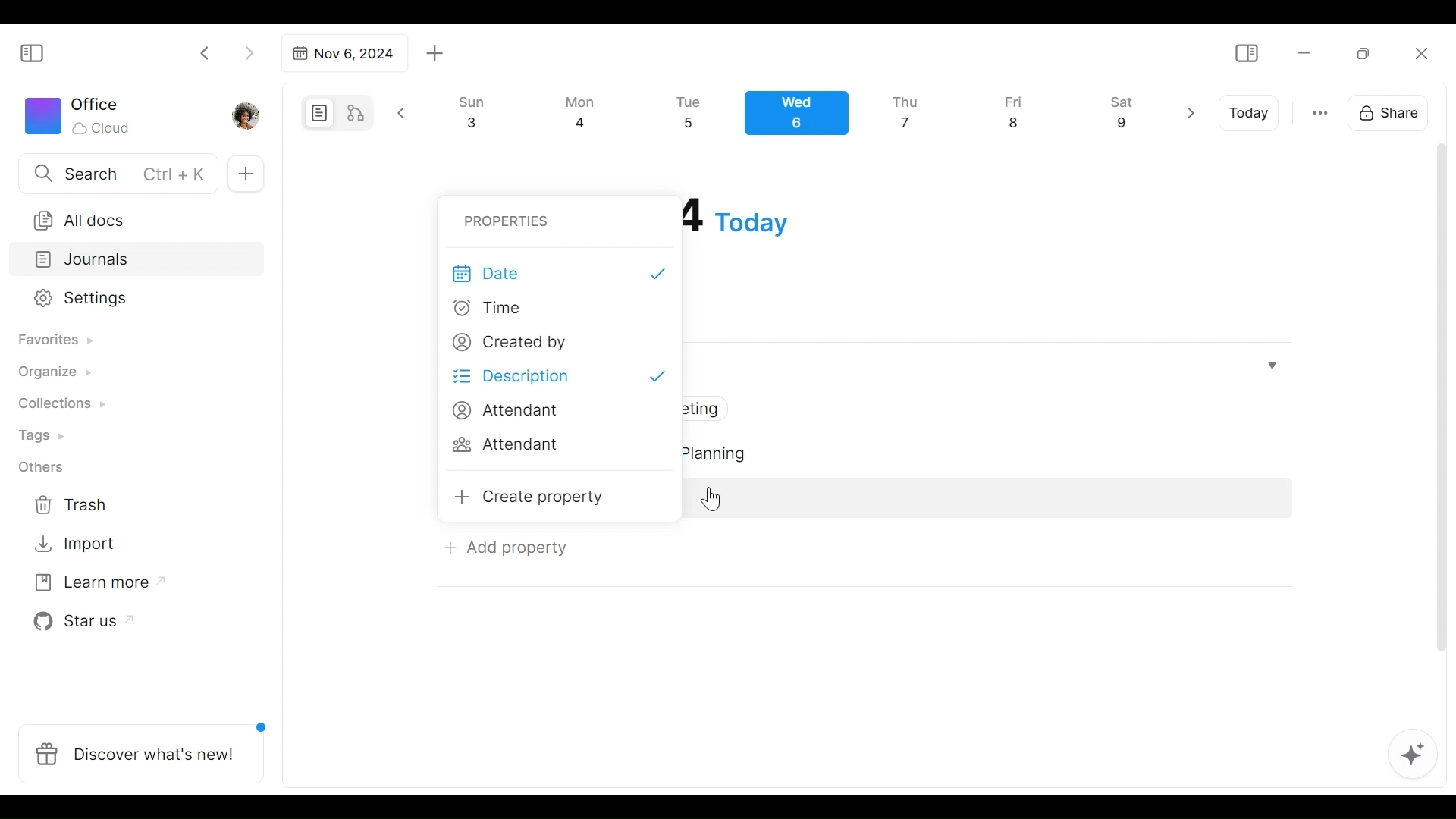 This screenshot has width=1456, height=819. I want to click on Workspace icon, so click(80, 114).